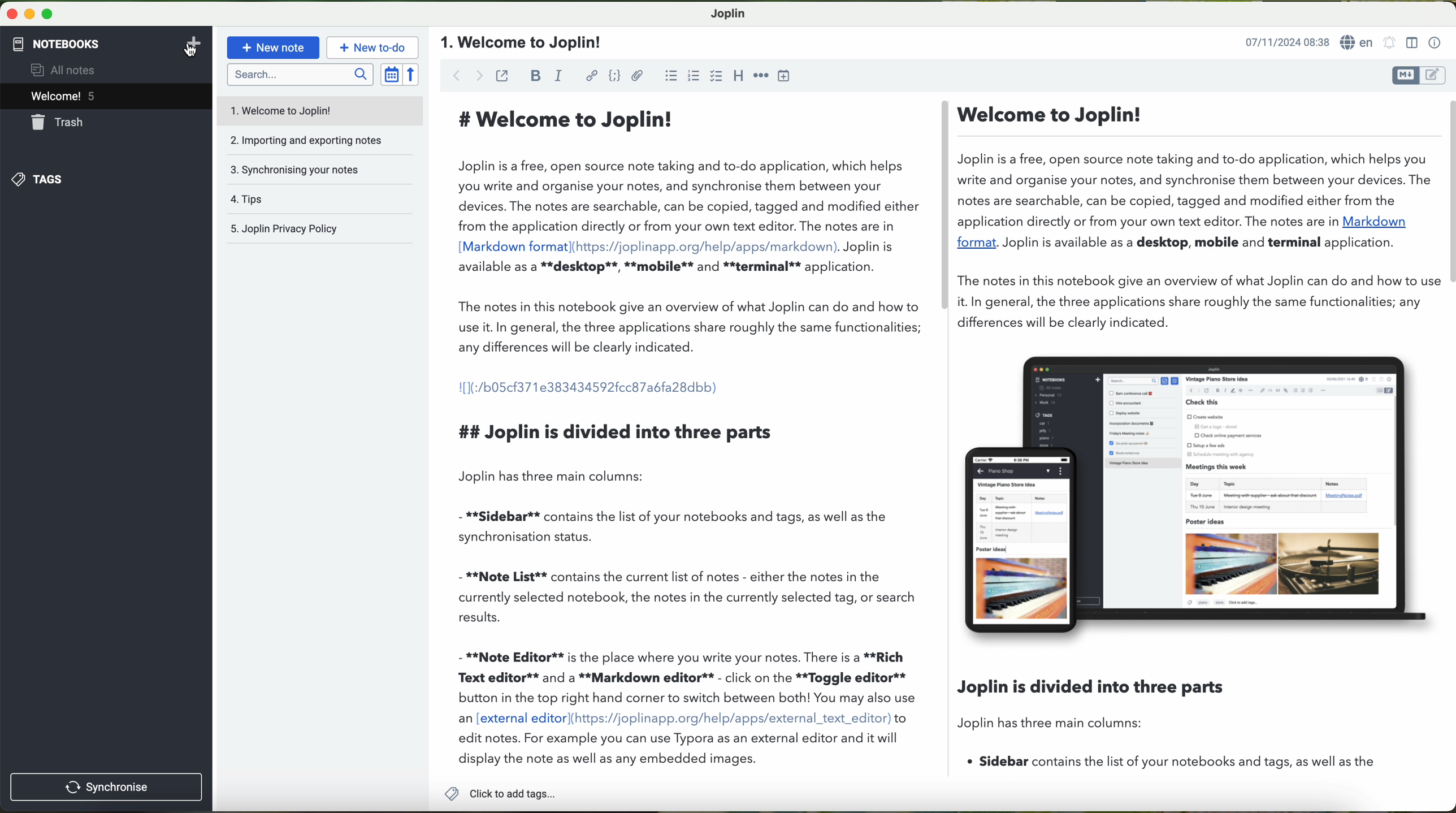 This screenshot has width=1456, height=813. I want to click on checkbox, so click(714, 75).